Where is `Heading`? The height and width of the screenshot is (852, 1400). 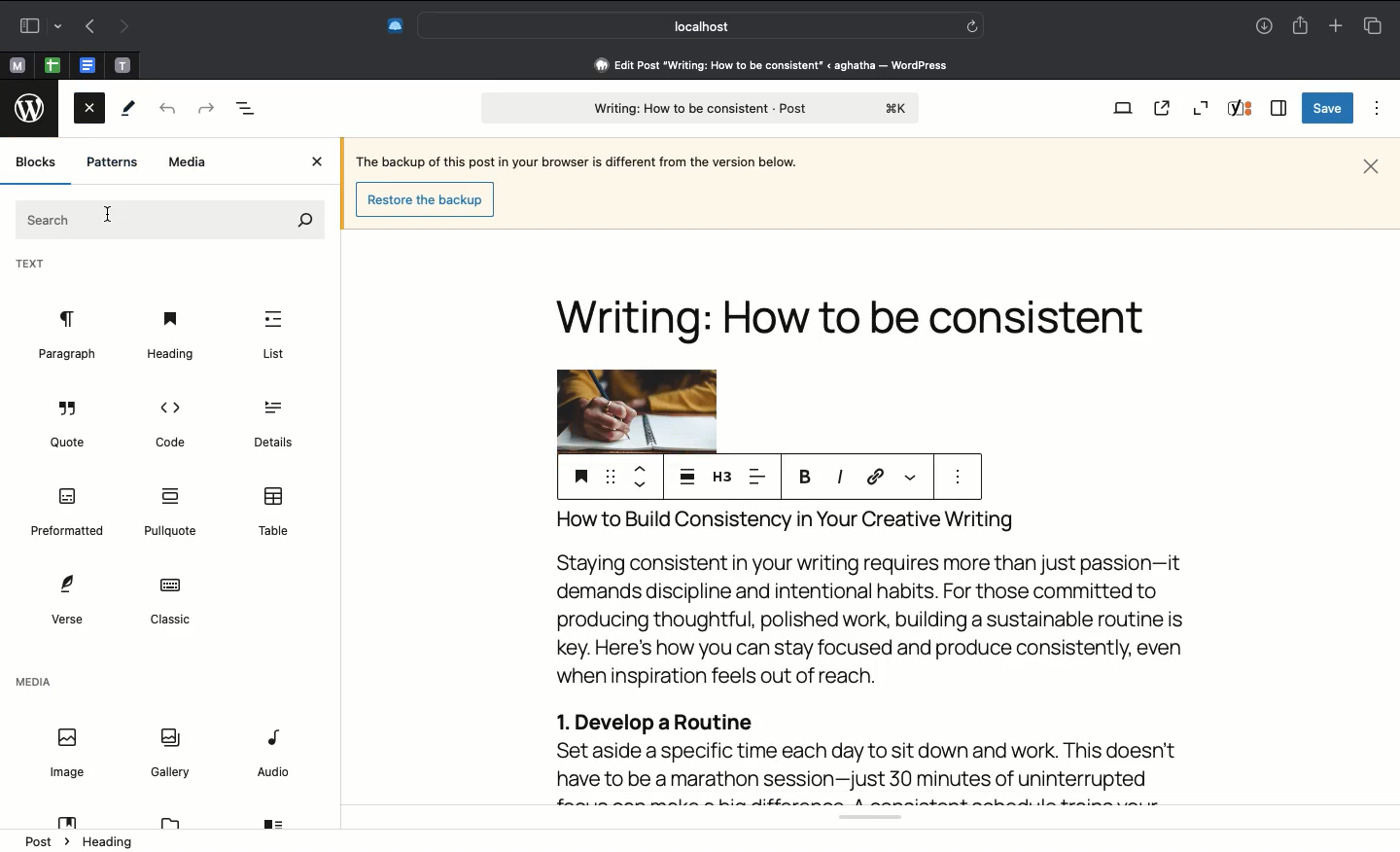 Heading is located at coordinates (110, 842).